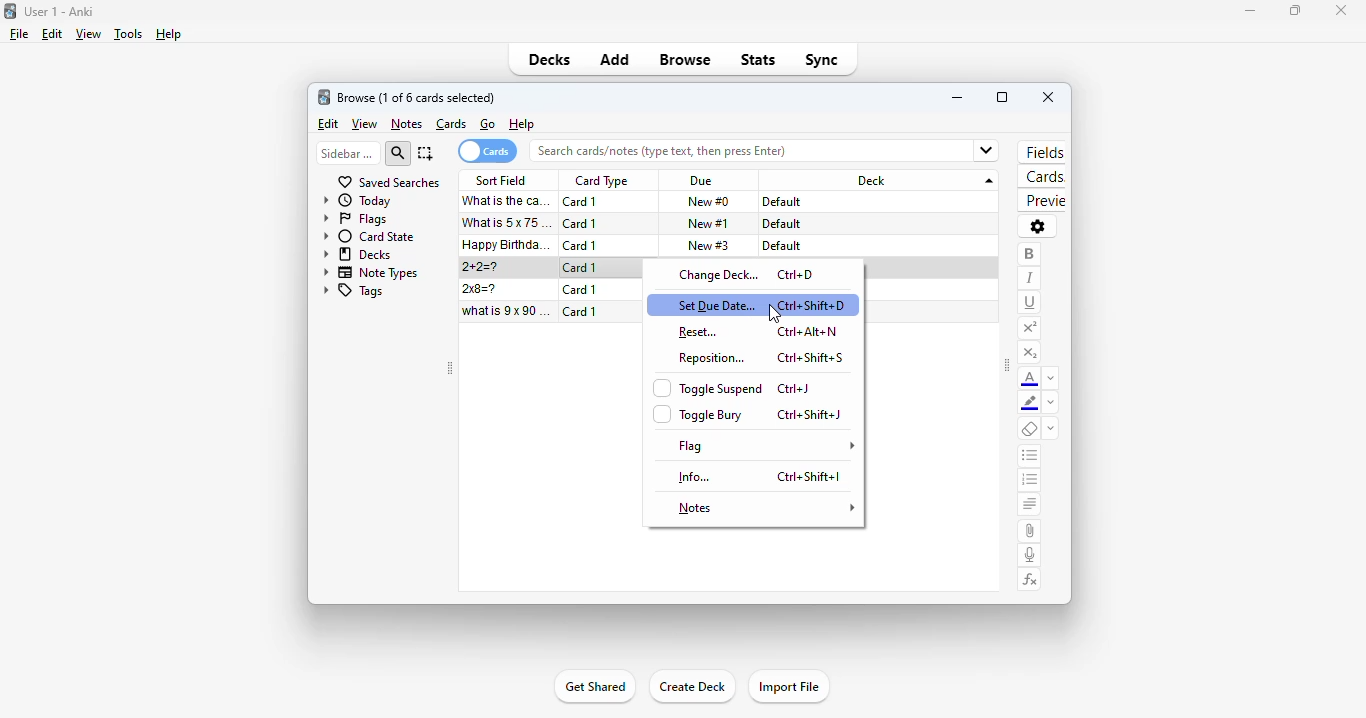  I want to click on notes, so click(406, 124).